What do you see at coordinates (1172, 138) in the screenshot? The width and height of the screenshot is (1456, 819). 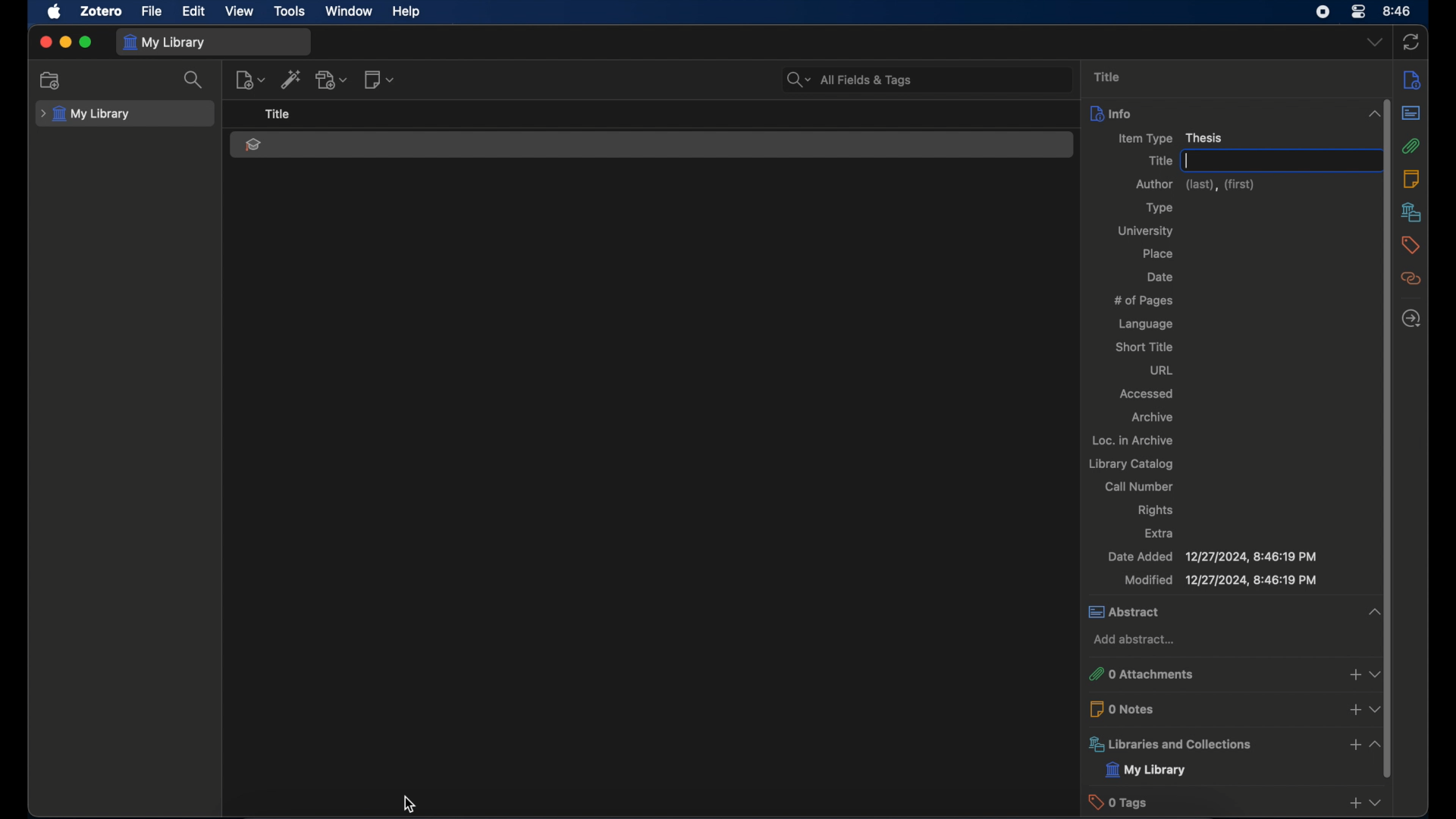 I see `item type` at bounding box center [1172, 138].